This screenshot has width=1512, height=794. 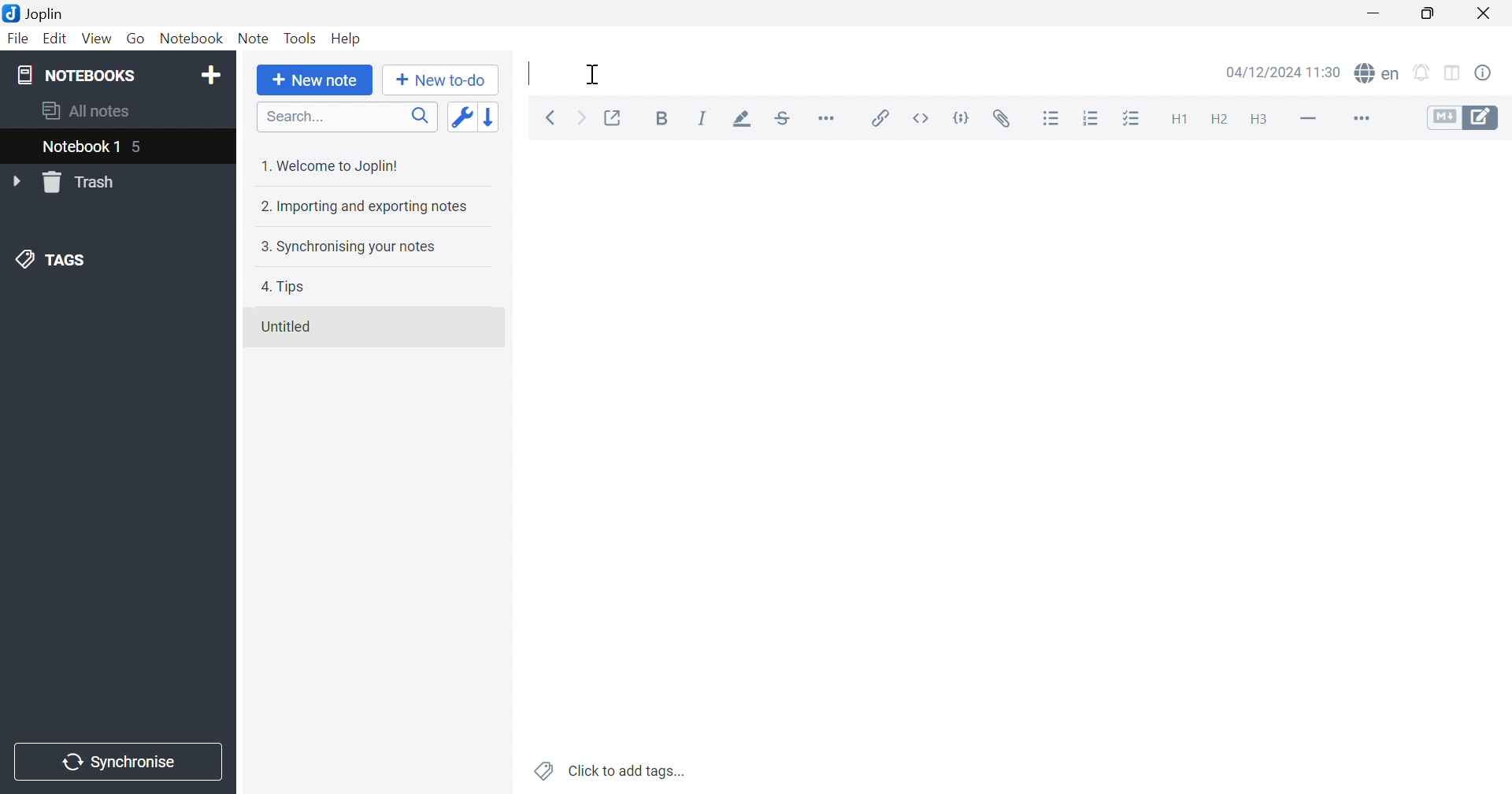 I want to click on 5, so click(x=140, y=148).